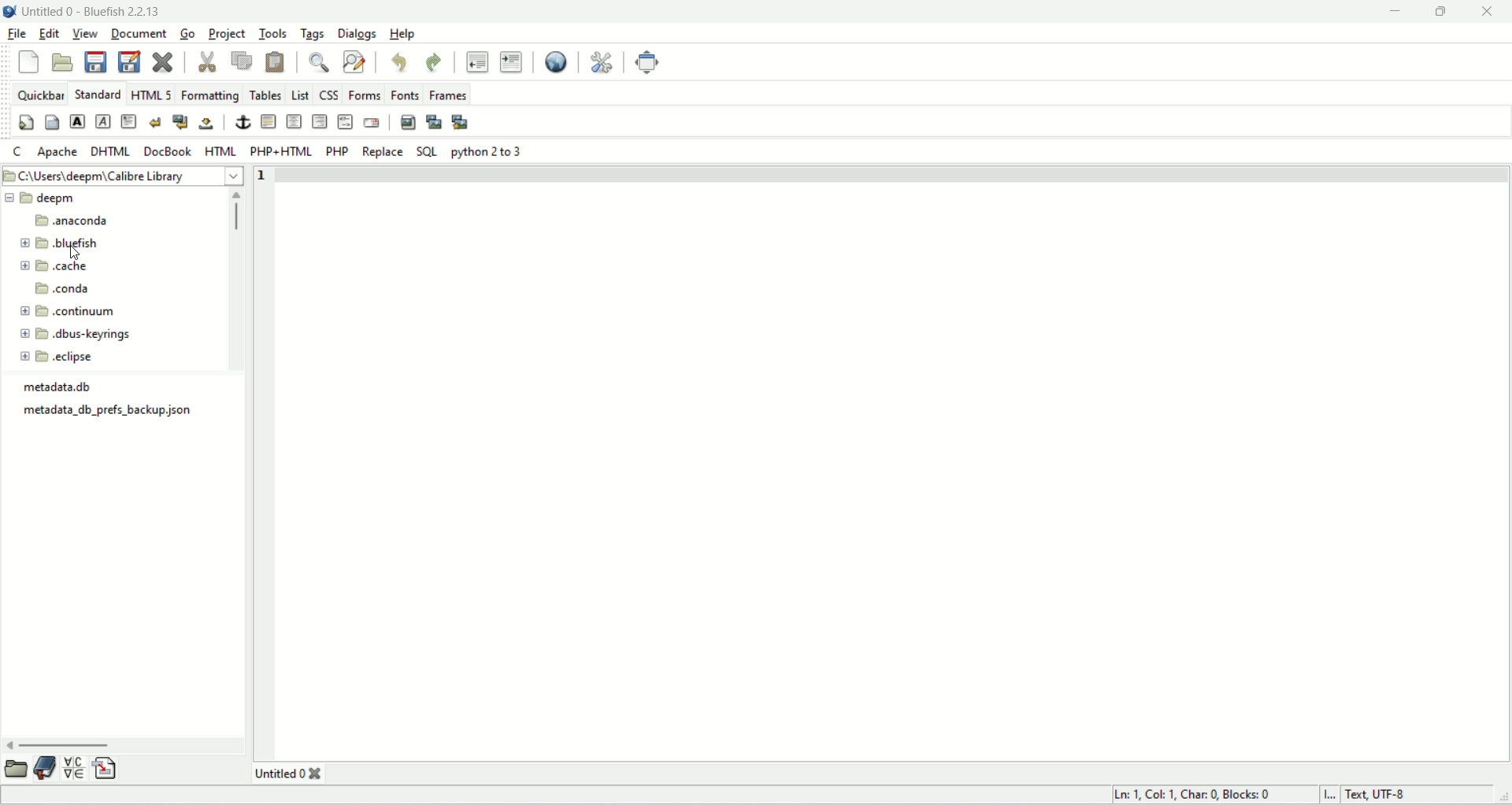  What do you see at coordinates (124, 742) in the screenshot?
I see `horizontal scroll bar` at bounding box center [124, 742].